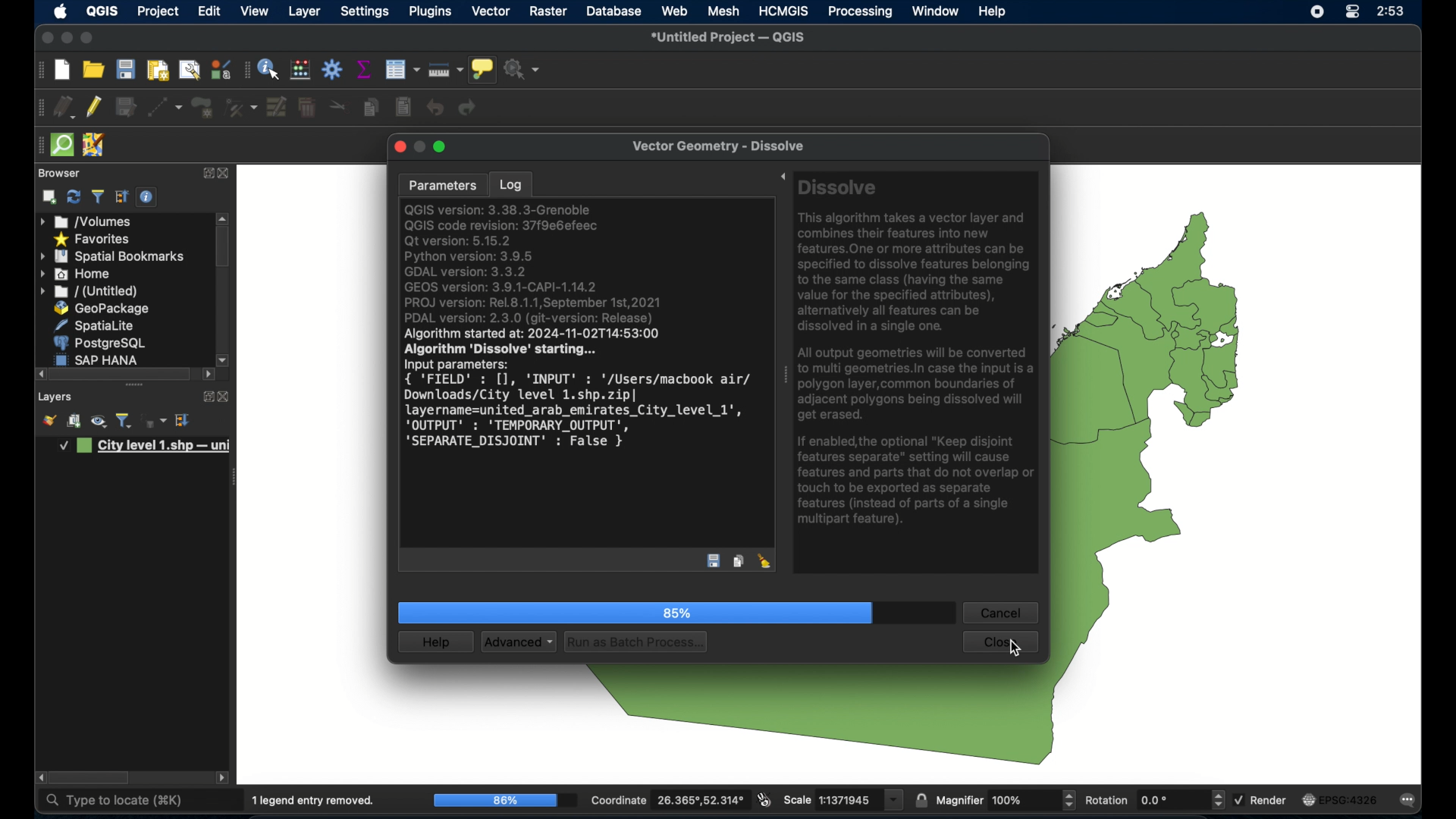  What do you see at coordinates (365, 70) in the screenshot?
I see `show statistical summary` at bounding box center [365, 70].